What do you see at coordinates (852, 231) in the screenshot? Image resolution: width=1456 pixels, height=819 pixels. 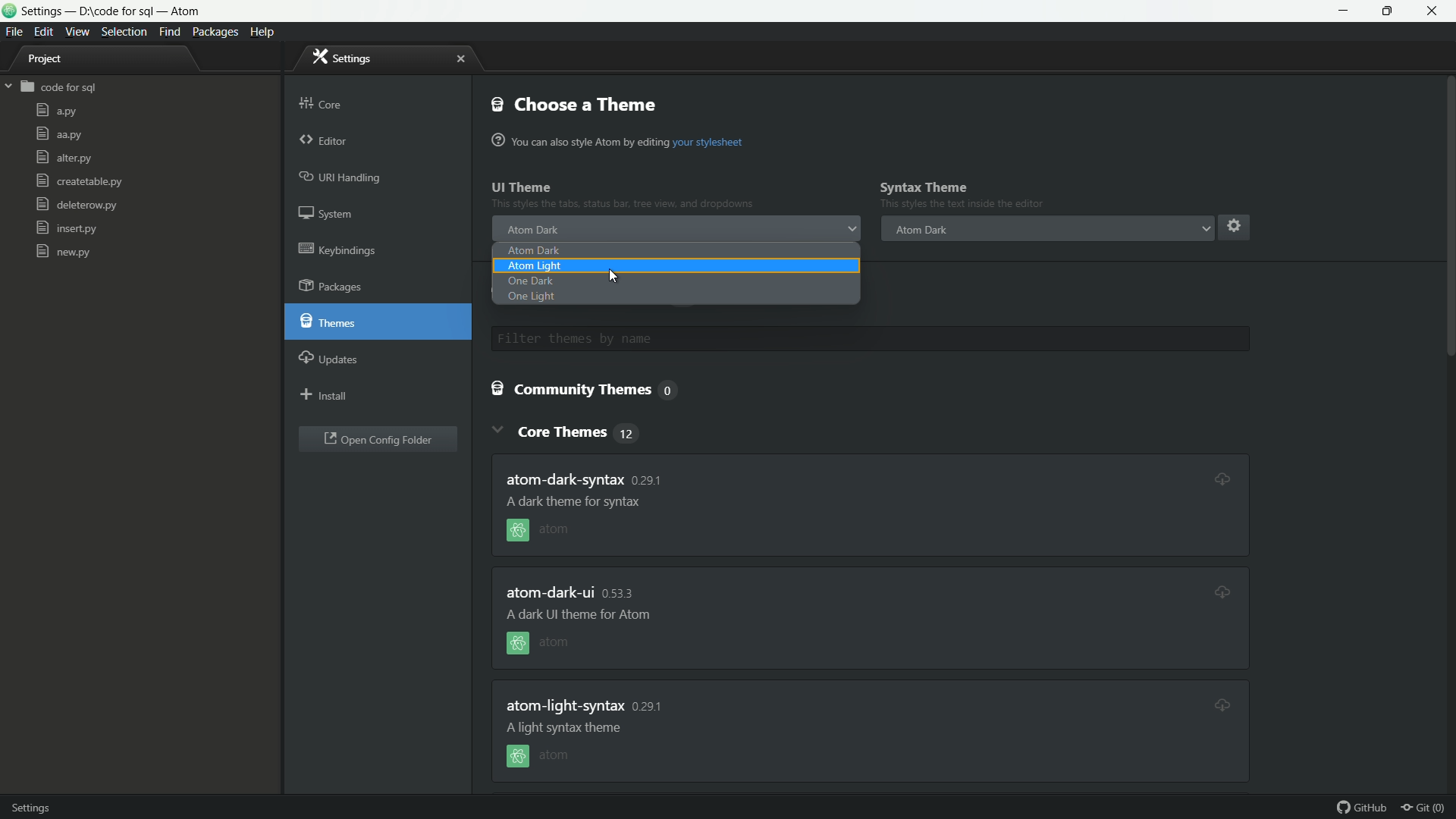 I see `dropdown` at bounding box center [852, 231].